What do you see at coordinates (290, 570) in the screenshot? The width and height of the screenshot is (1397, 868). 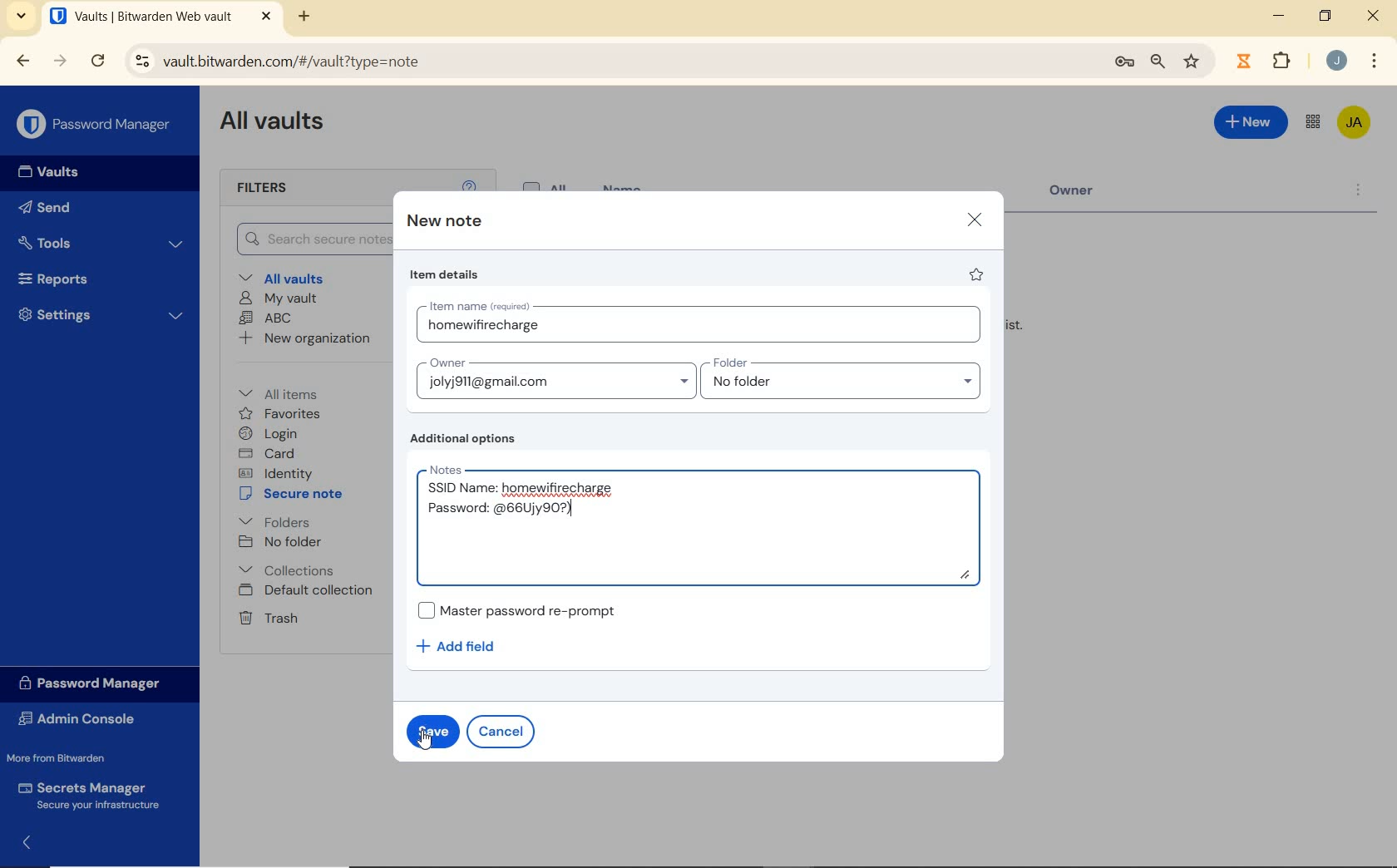 I see `Collections` at bounding box center [290, 570].